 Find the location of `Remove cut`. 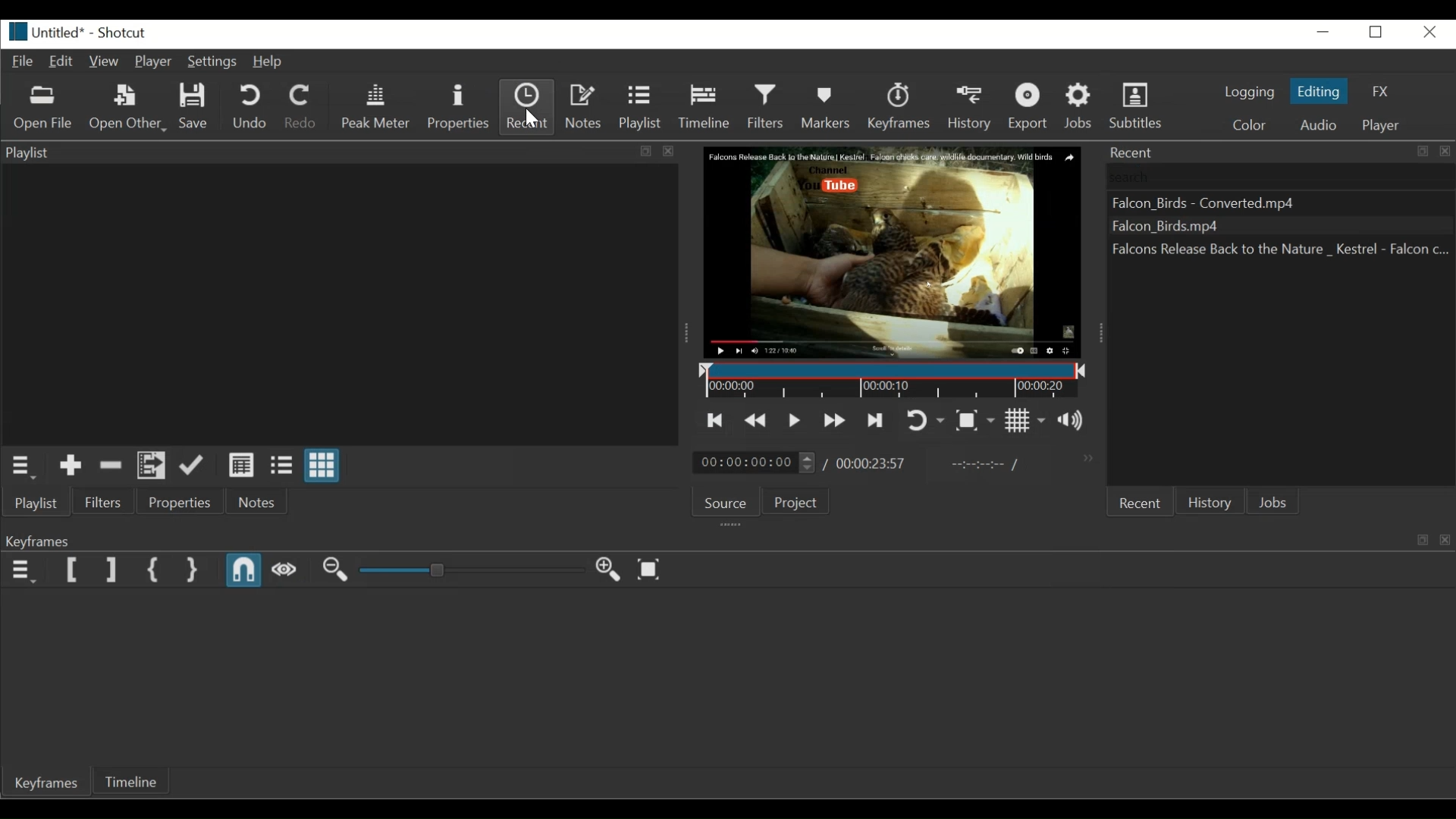

Remove cut is located at coordinates (111, 464).